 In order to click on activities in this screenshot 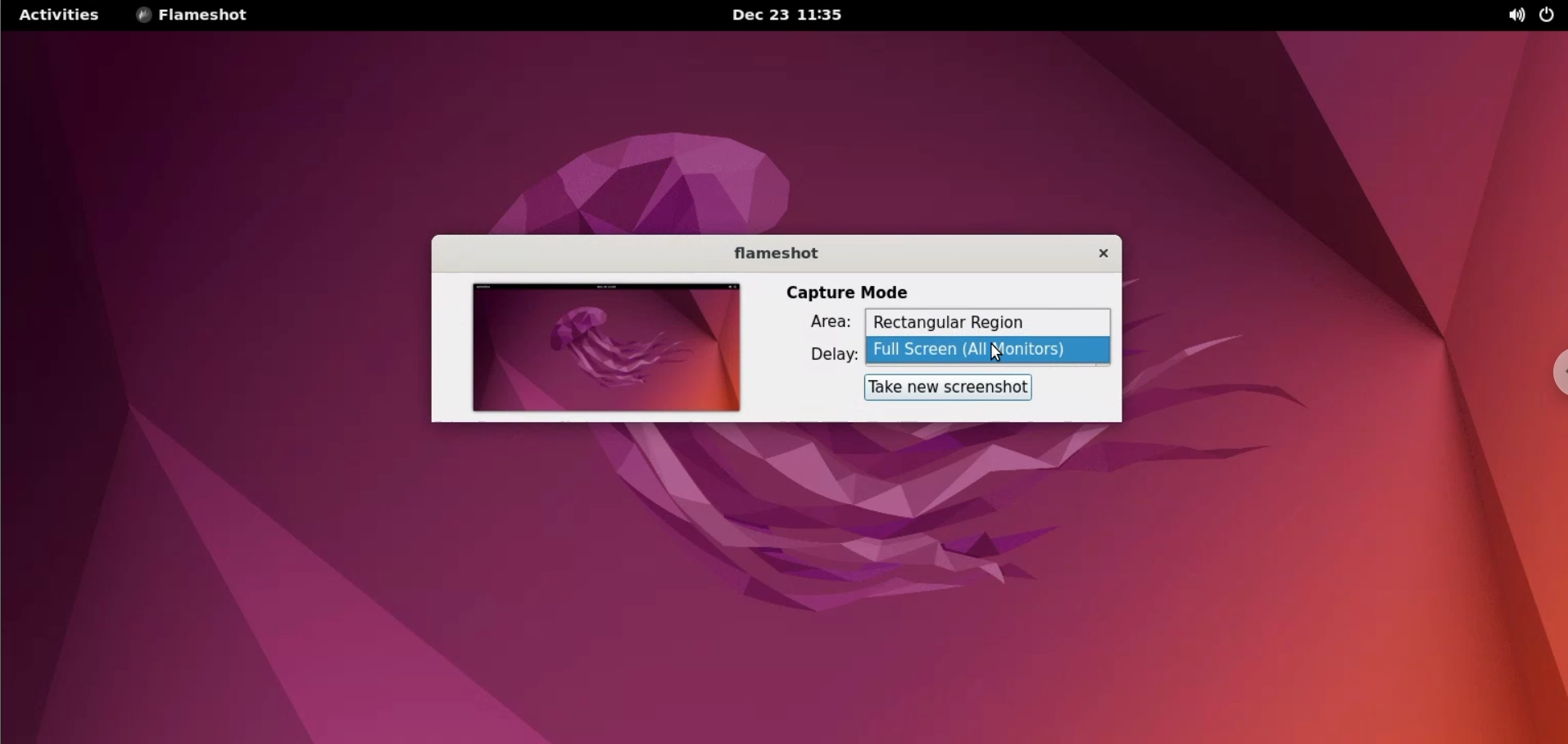, I will do `click(59, 15)`.